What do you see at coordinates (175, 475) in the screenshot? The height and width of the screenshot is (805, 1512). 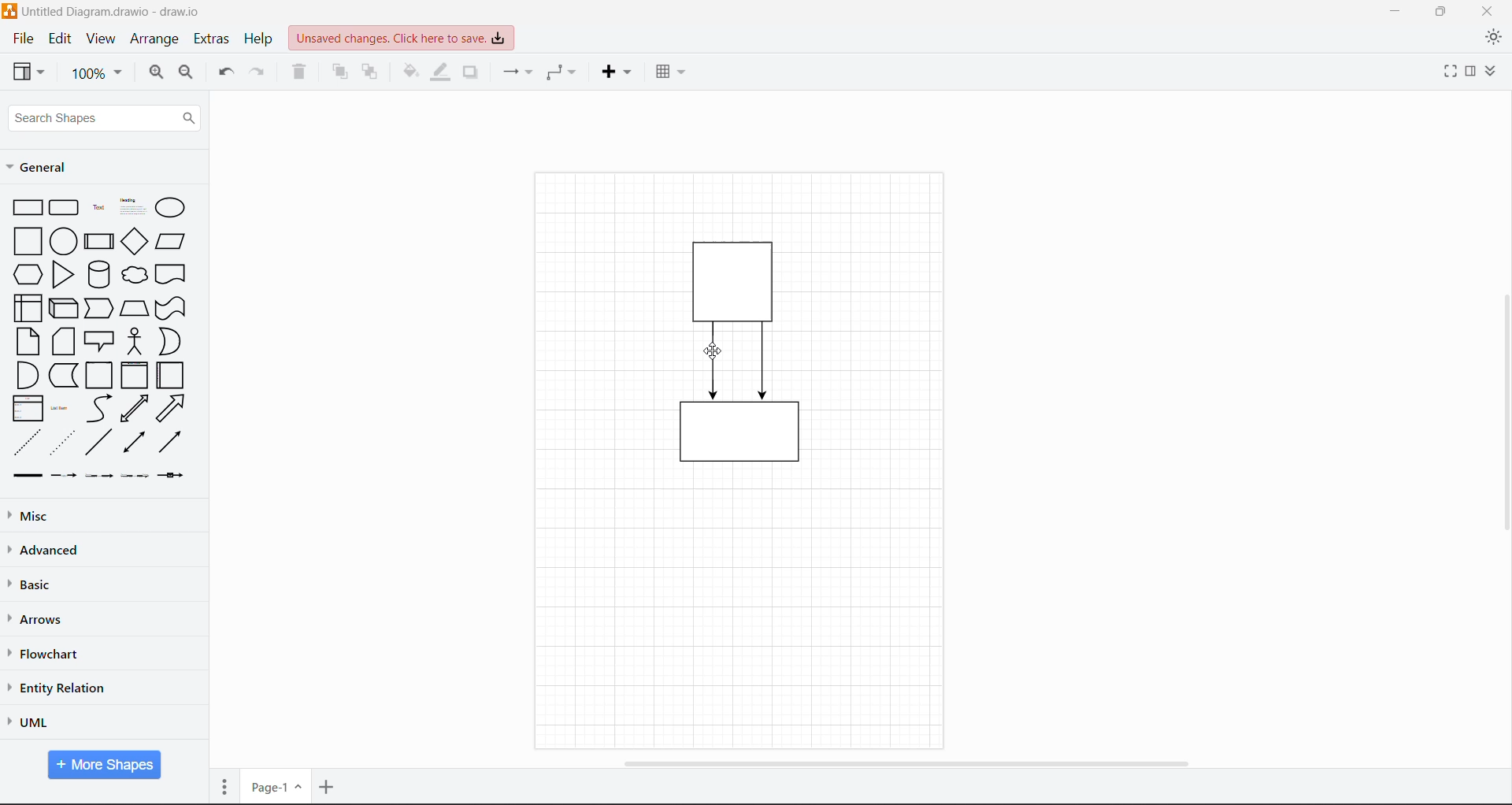 I see `connector with symbol` at bounding box center [175, 475].